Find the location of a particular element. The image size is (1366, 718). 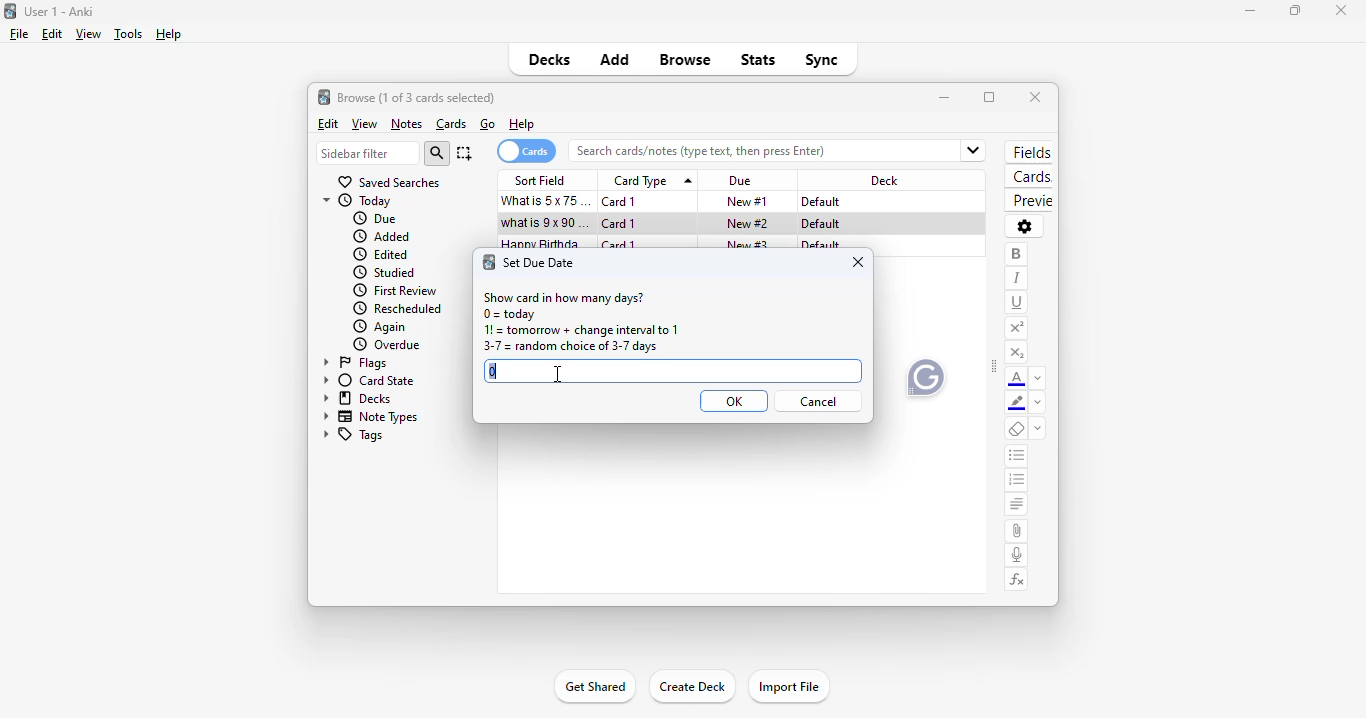

first review is located at coordinates (394, 292).